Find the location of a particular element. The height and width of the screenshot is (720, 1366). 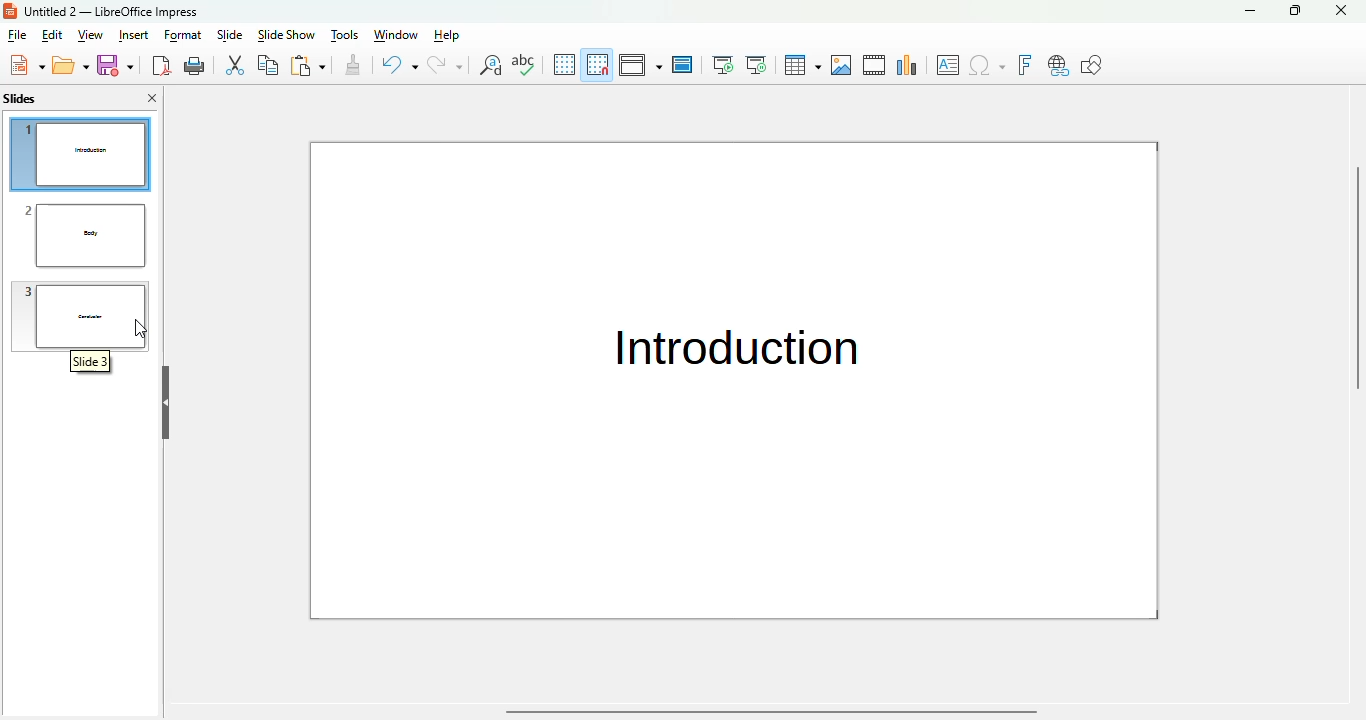

undo is located at coordinates (398, 64).